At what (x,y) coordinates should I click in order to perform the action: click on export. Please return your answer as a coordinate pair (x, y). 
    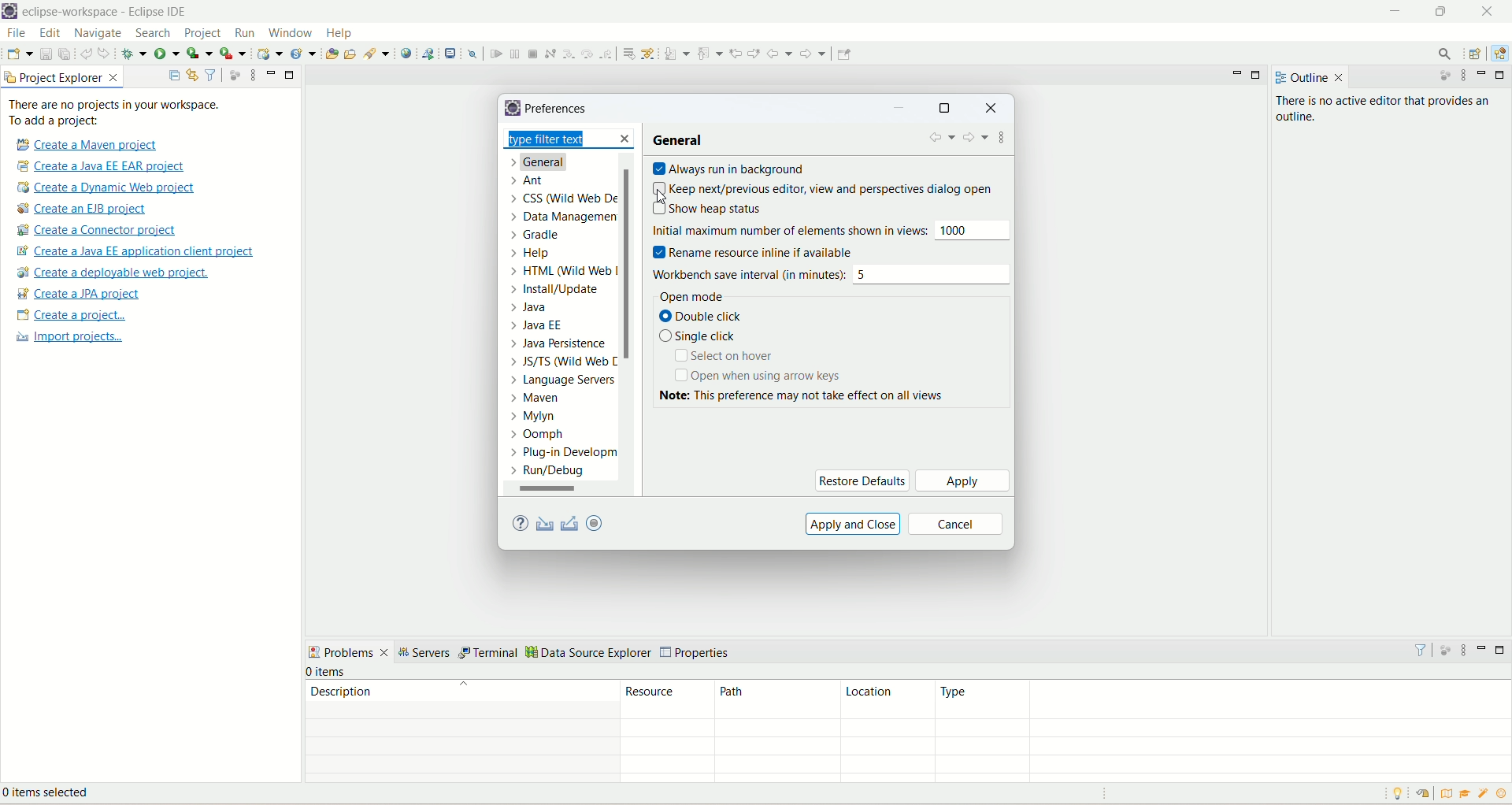
    Looking at the image, I should click on (571, 523).